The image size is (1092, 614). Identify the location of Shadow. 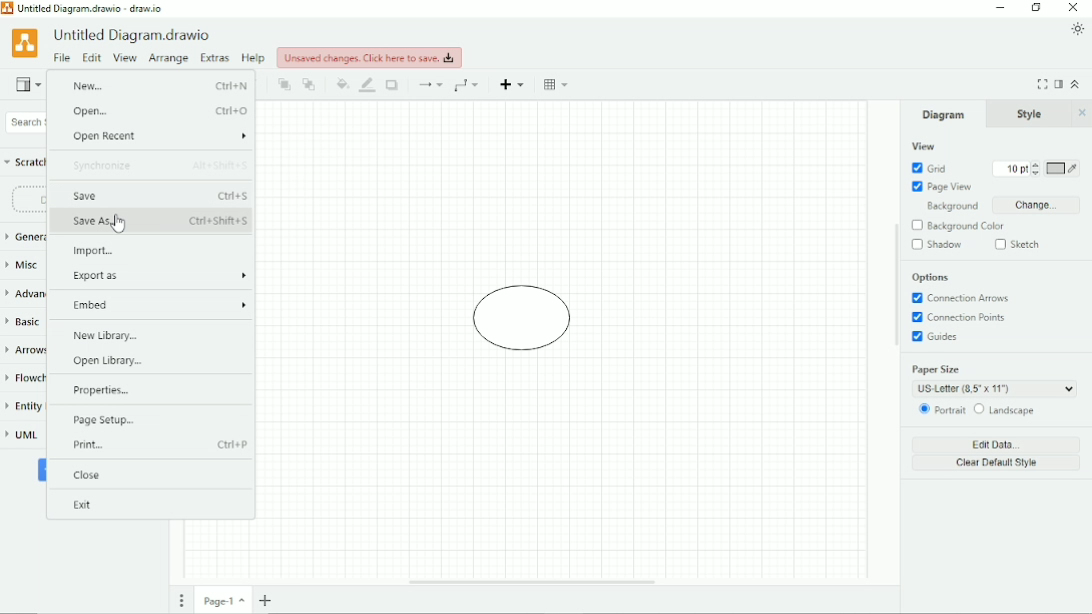
(395, 85).